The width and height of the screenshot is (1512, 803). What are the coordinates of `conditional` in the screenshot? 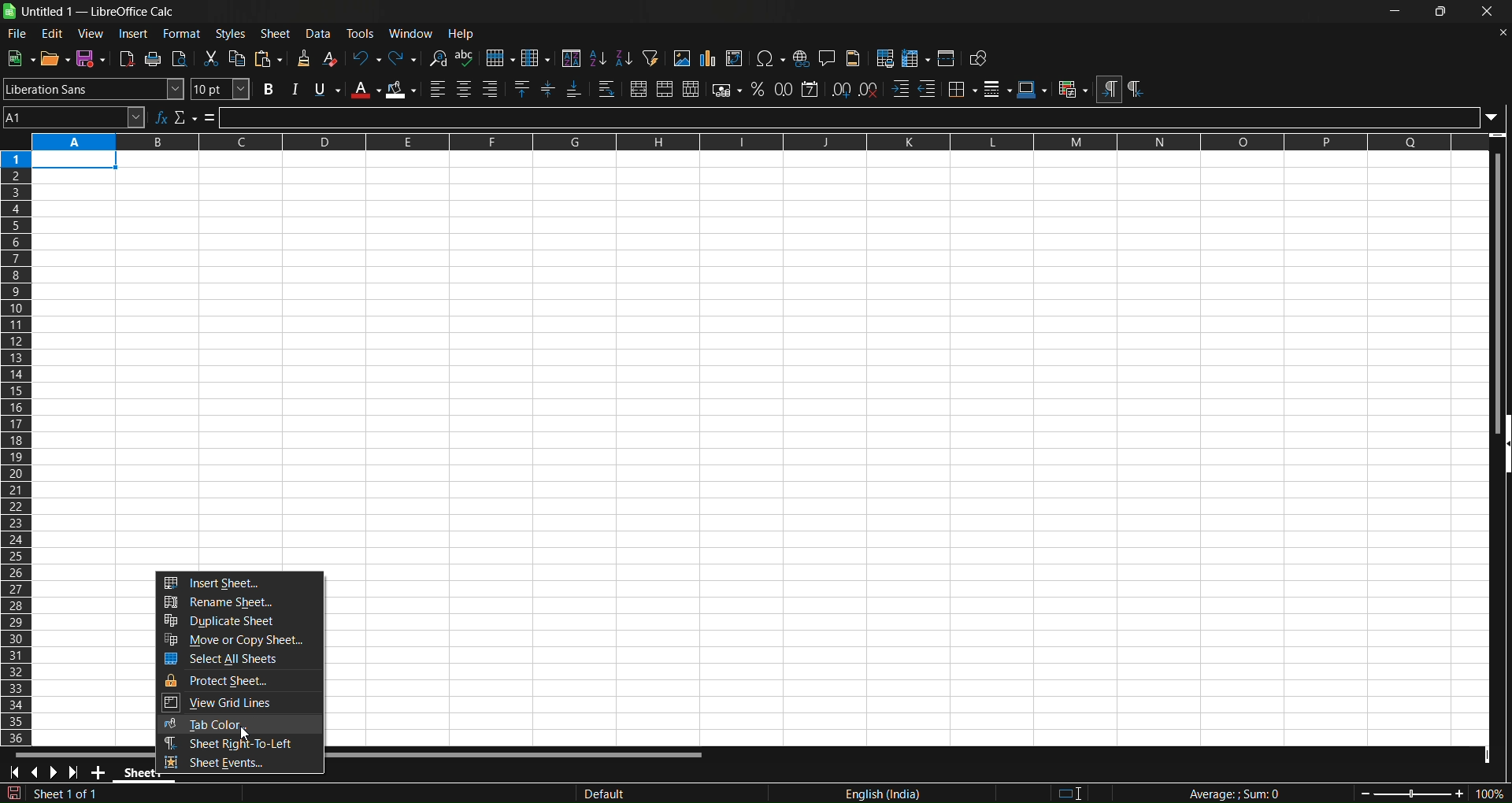 It's located at (1072, 90).